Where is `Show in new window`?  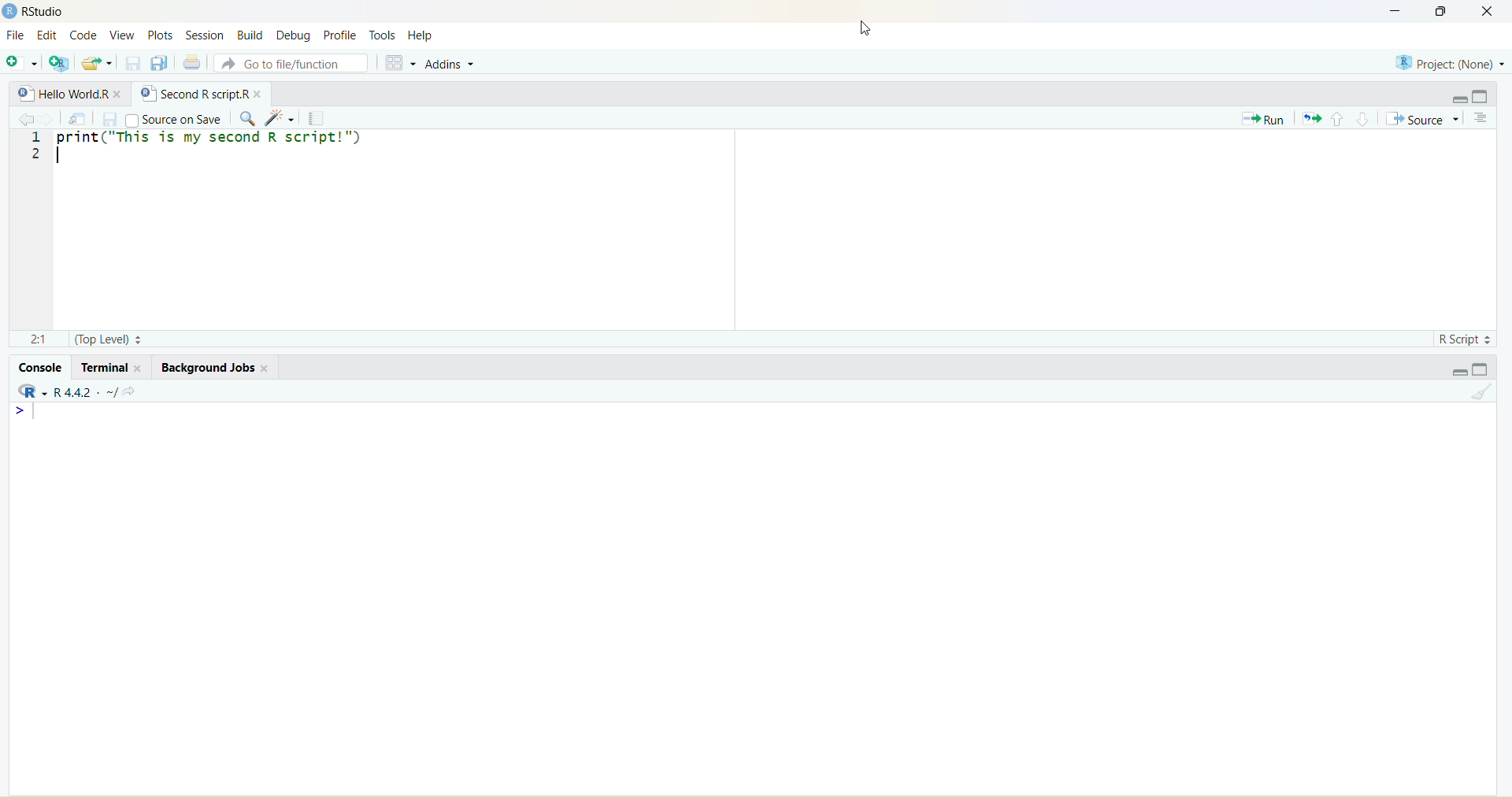 Show in new window is located at coordinates (78, 118).